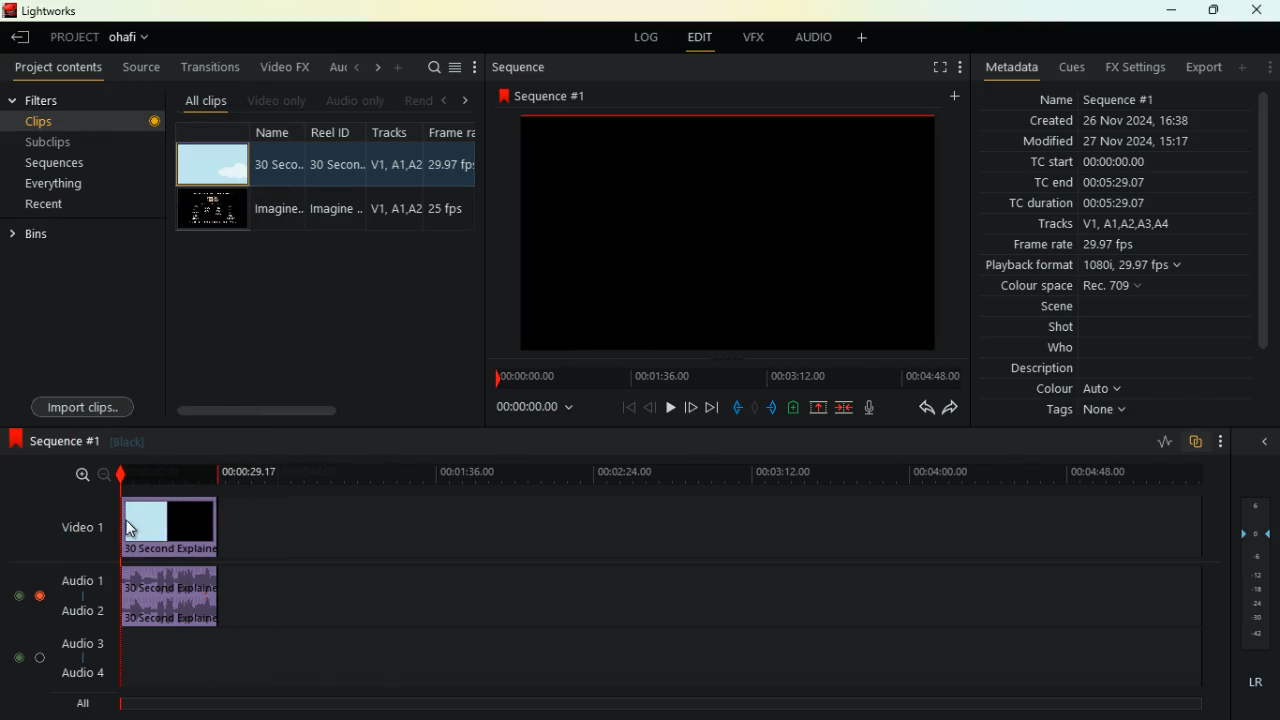 This screenshot has width=1280, height=720. What do you see at coordinates (46, 234) in the screenshot?
I see `bins` at bounding box center [46, 234].